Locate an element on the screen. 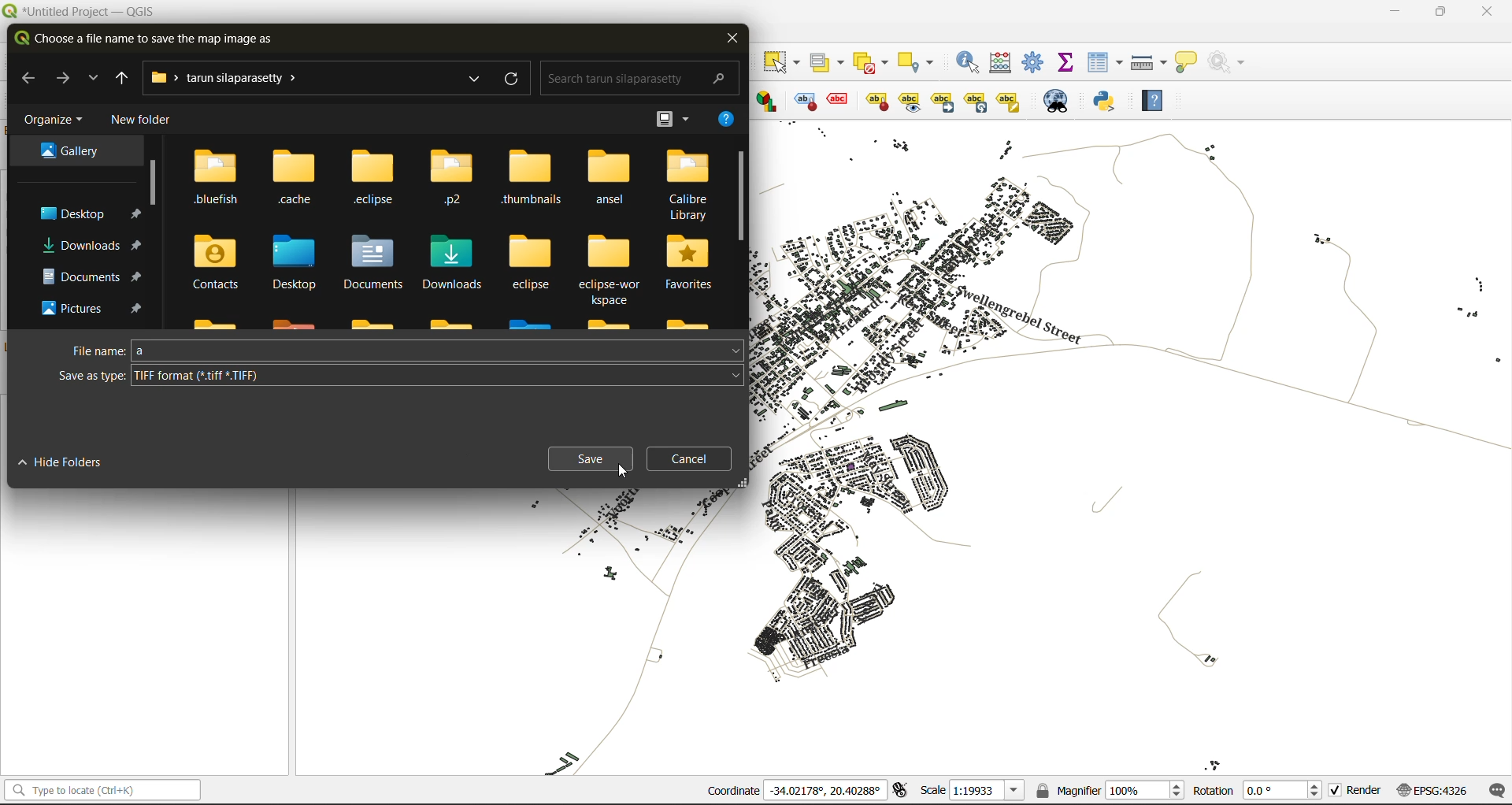  toggle extents is located at coordinates (899, 791).